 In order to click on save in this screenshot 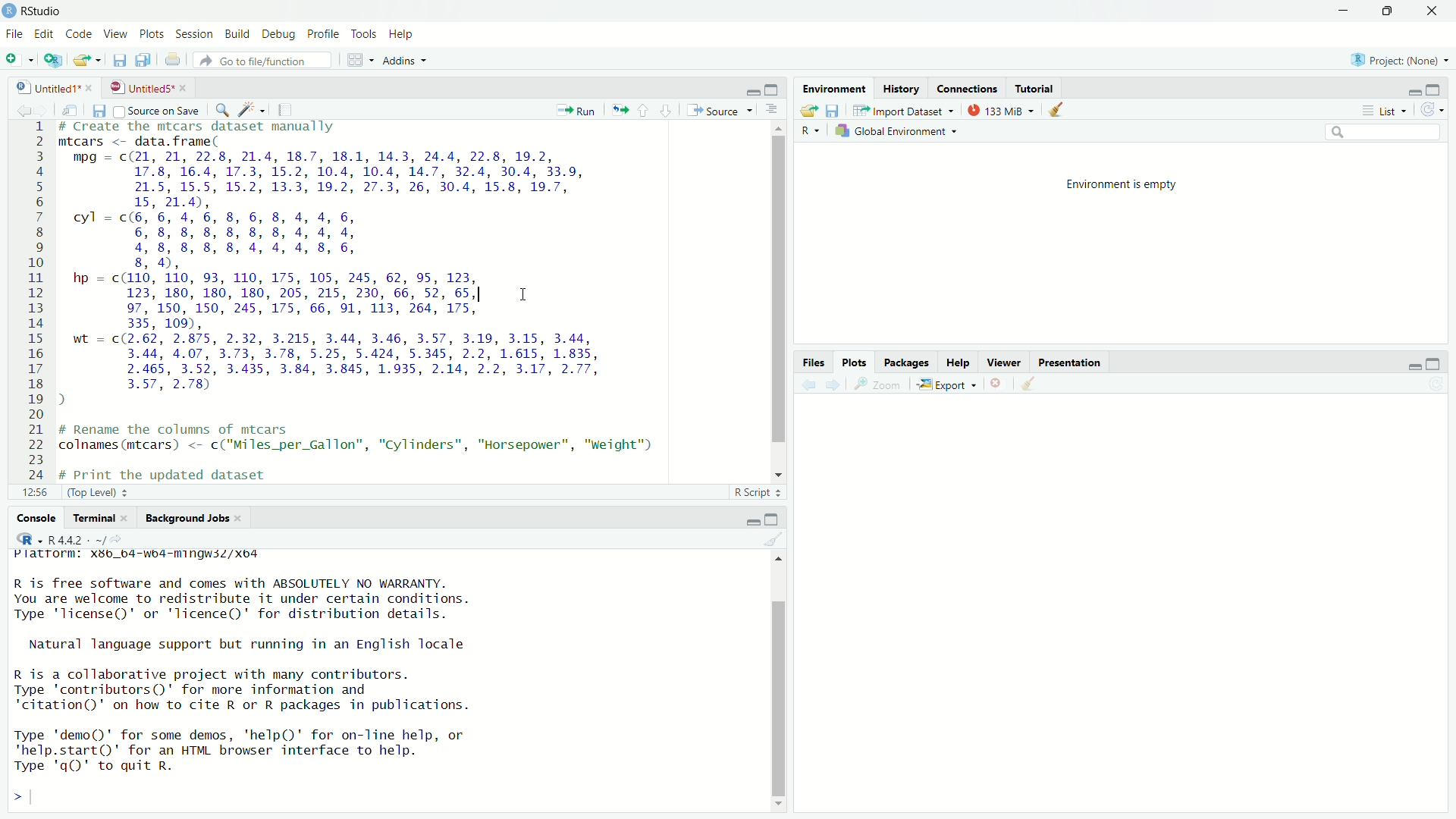, I will do `click(833, 111)`.